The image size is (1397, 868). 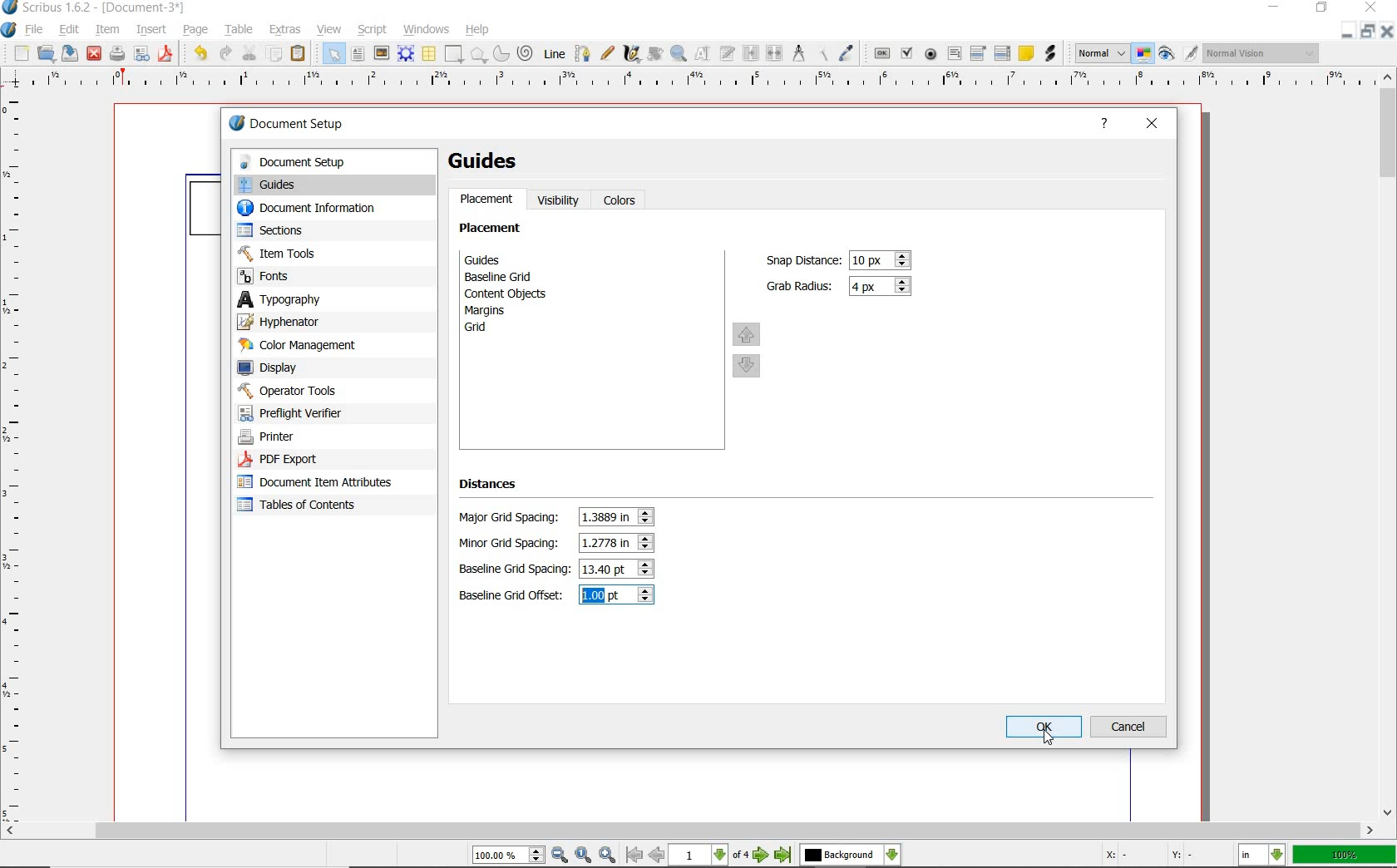 What do you see at coordinates (692, 83) in the screenshot?
I see `ruler` at bounding box center [692, 83].